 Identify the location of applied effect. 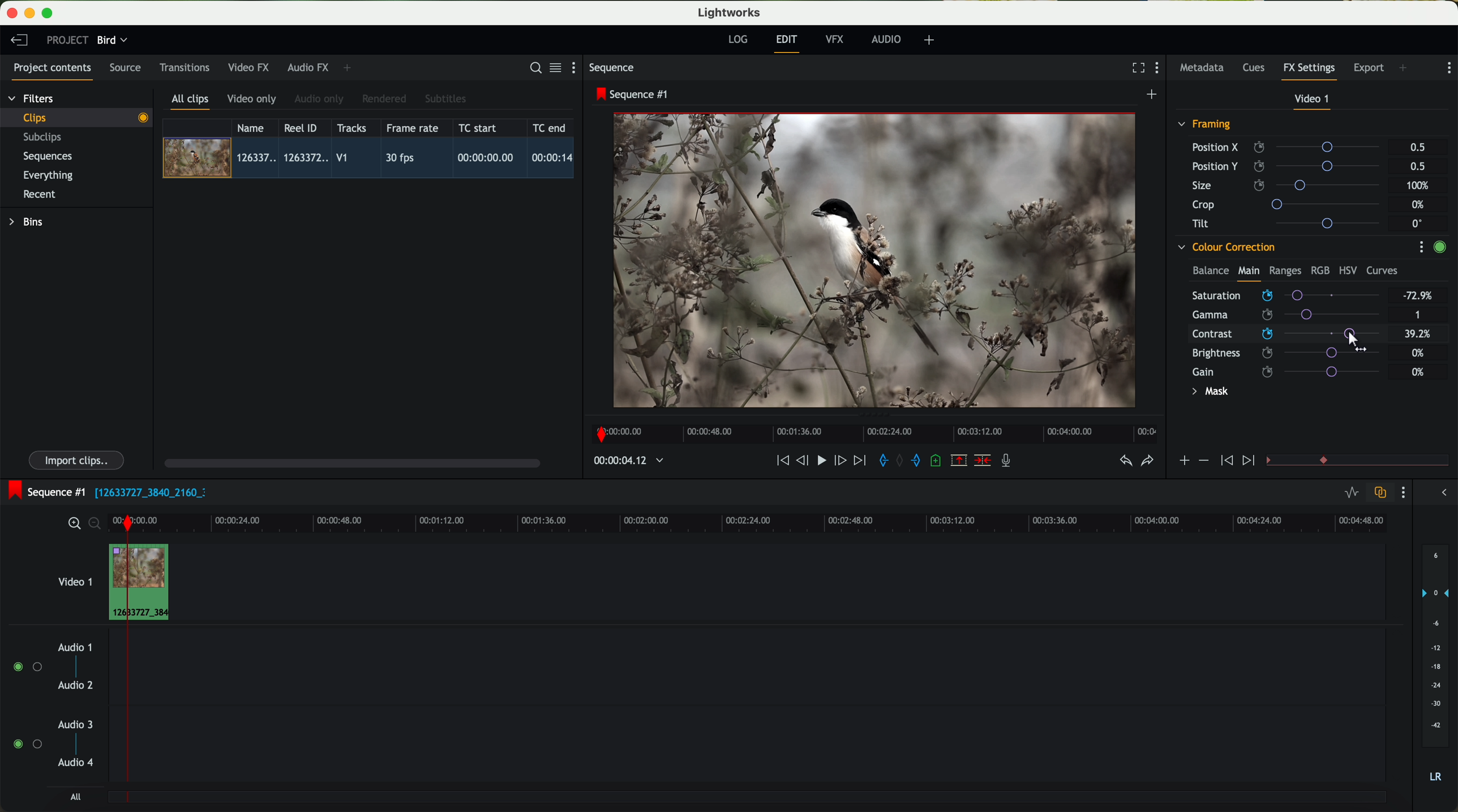
(877, 260).